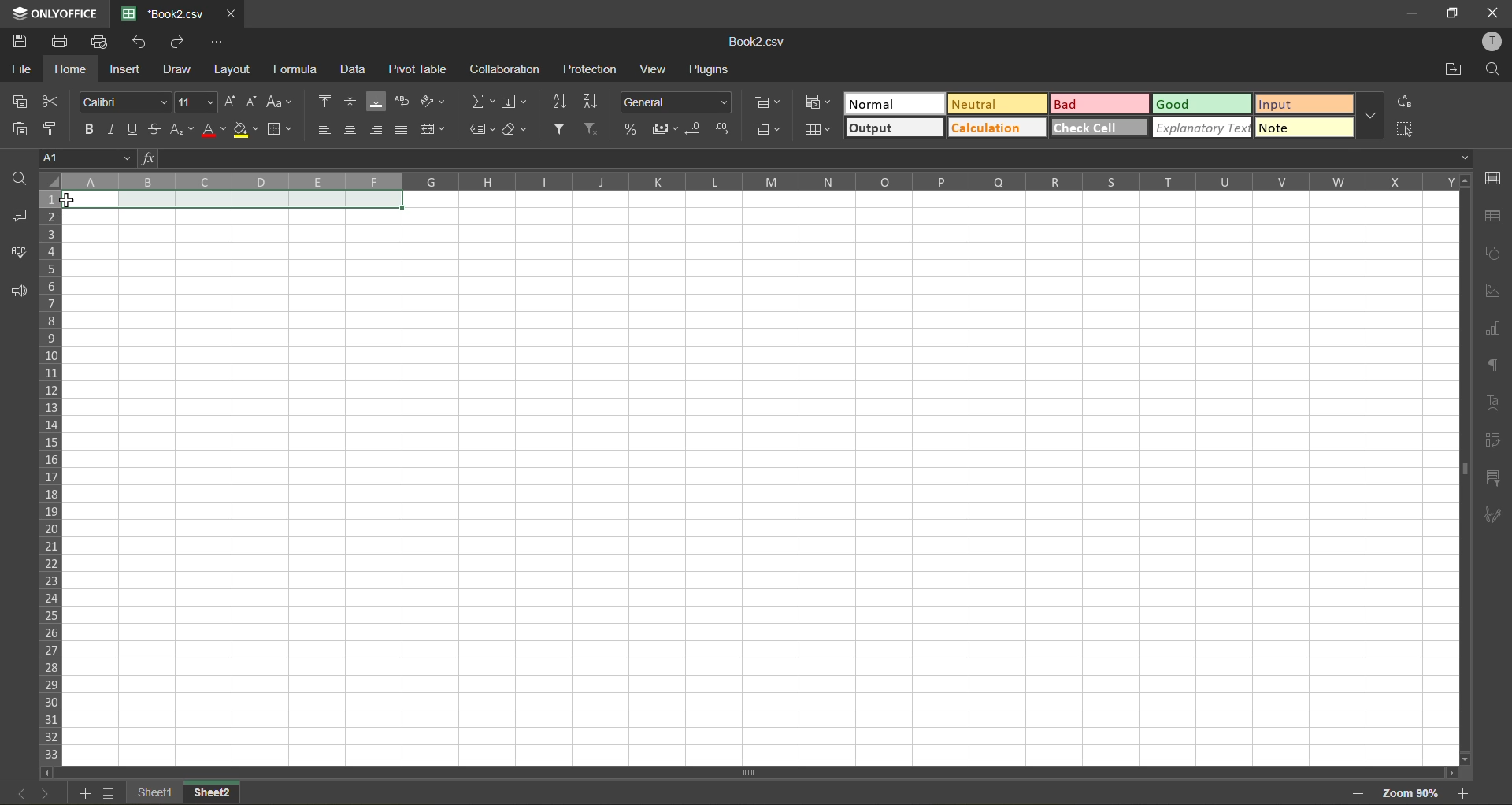 This screenshot has height=805, width=1512. Describe the element at coordinates (354, 101) in the screenshot. I see `align middle` at that location.